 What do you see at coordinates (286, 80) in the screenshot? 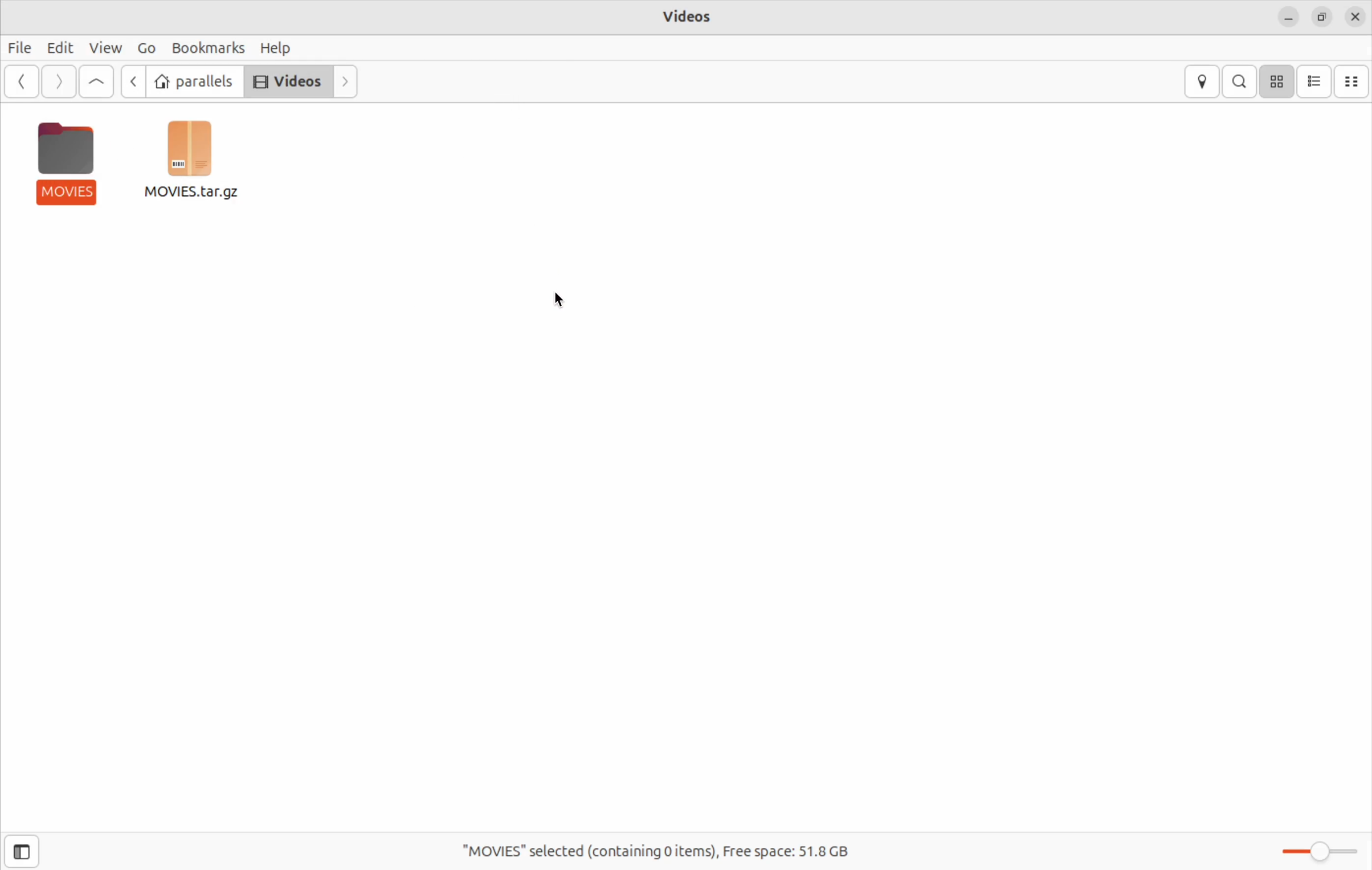
I see `Videos` at bounding box center [286, 80].